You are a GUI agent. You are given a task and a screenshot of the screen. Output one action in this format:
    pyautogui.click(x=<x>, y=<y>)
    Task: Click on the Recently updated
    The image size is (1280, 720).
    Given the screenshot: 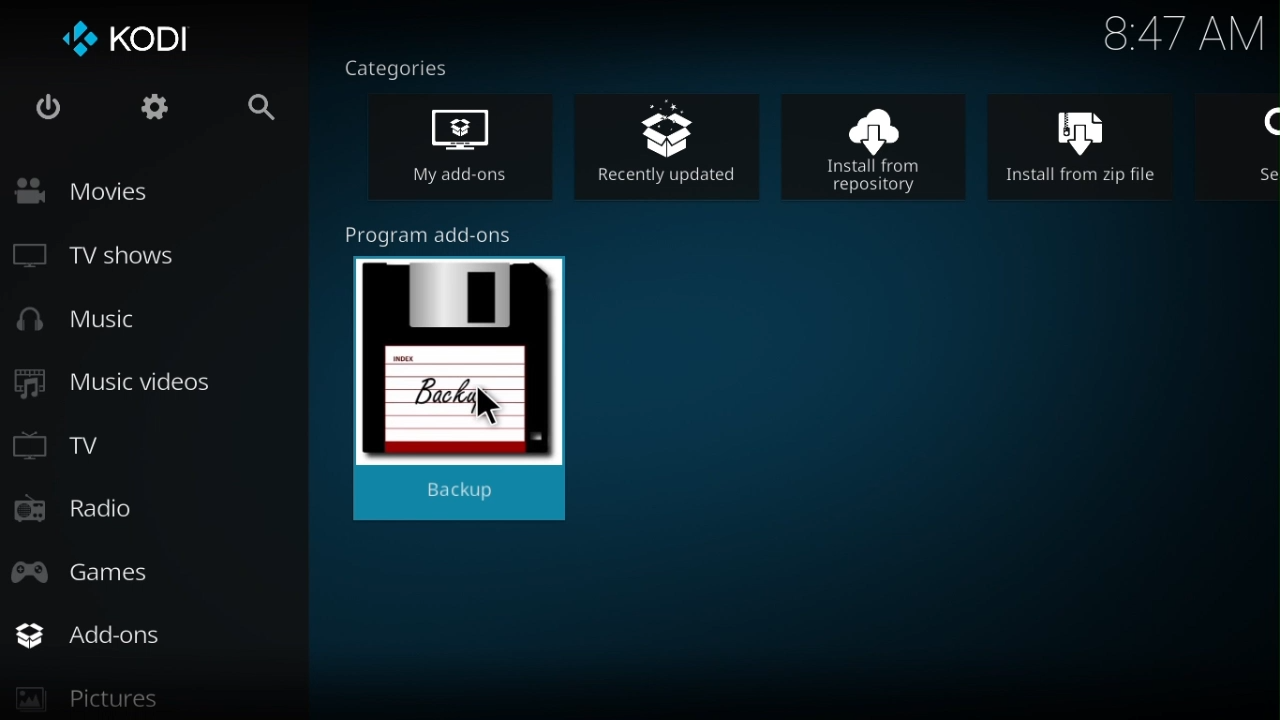 What is the action you would take?
    pyautogui.click(x=677, y=142)
    